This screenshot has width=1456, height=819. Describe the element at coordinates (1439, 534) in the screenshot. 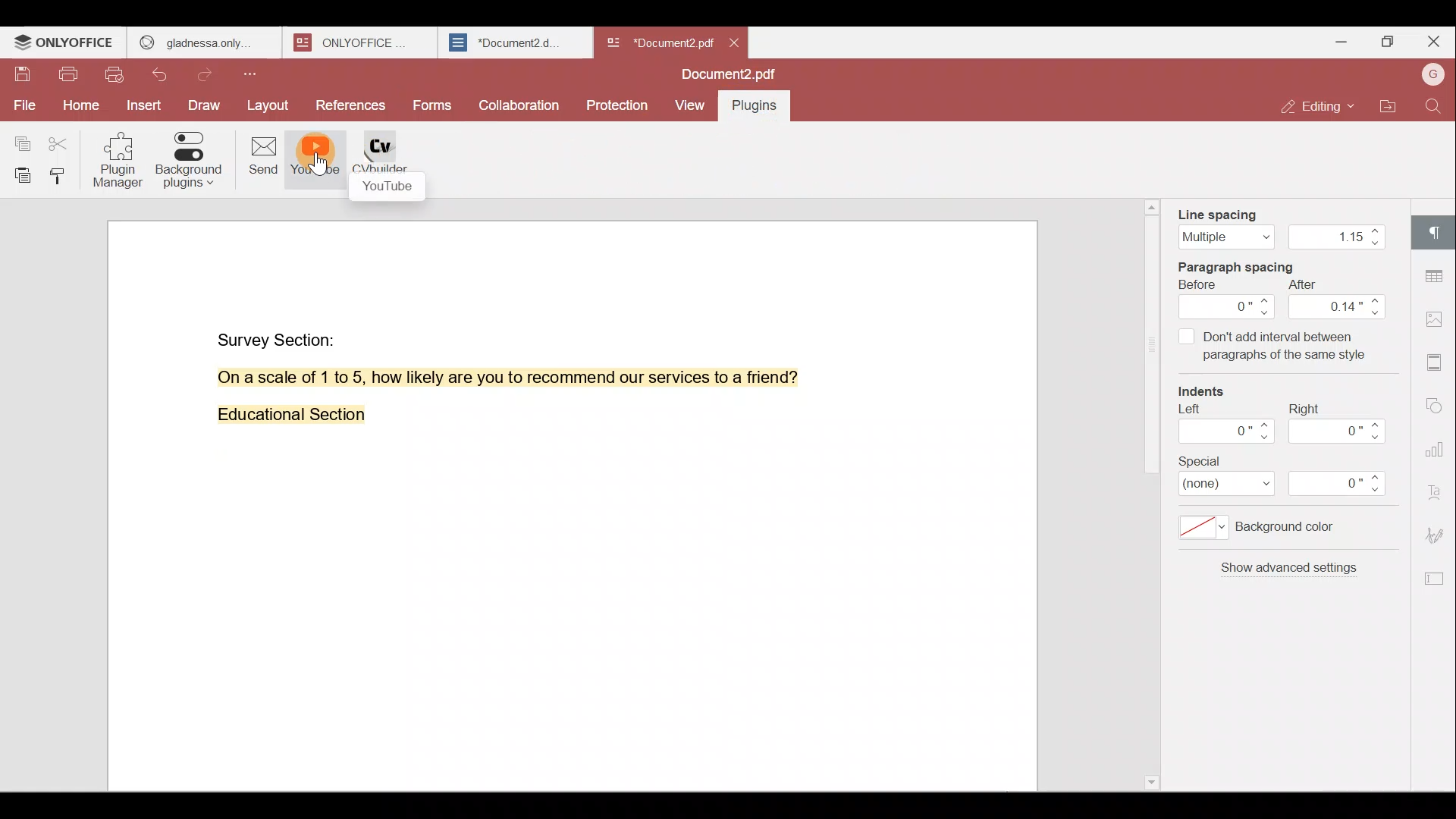

I see `Signature settings` at that location.